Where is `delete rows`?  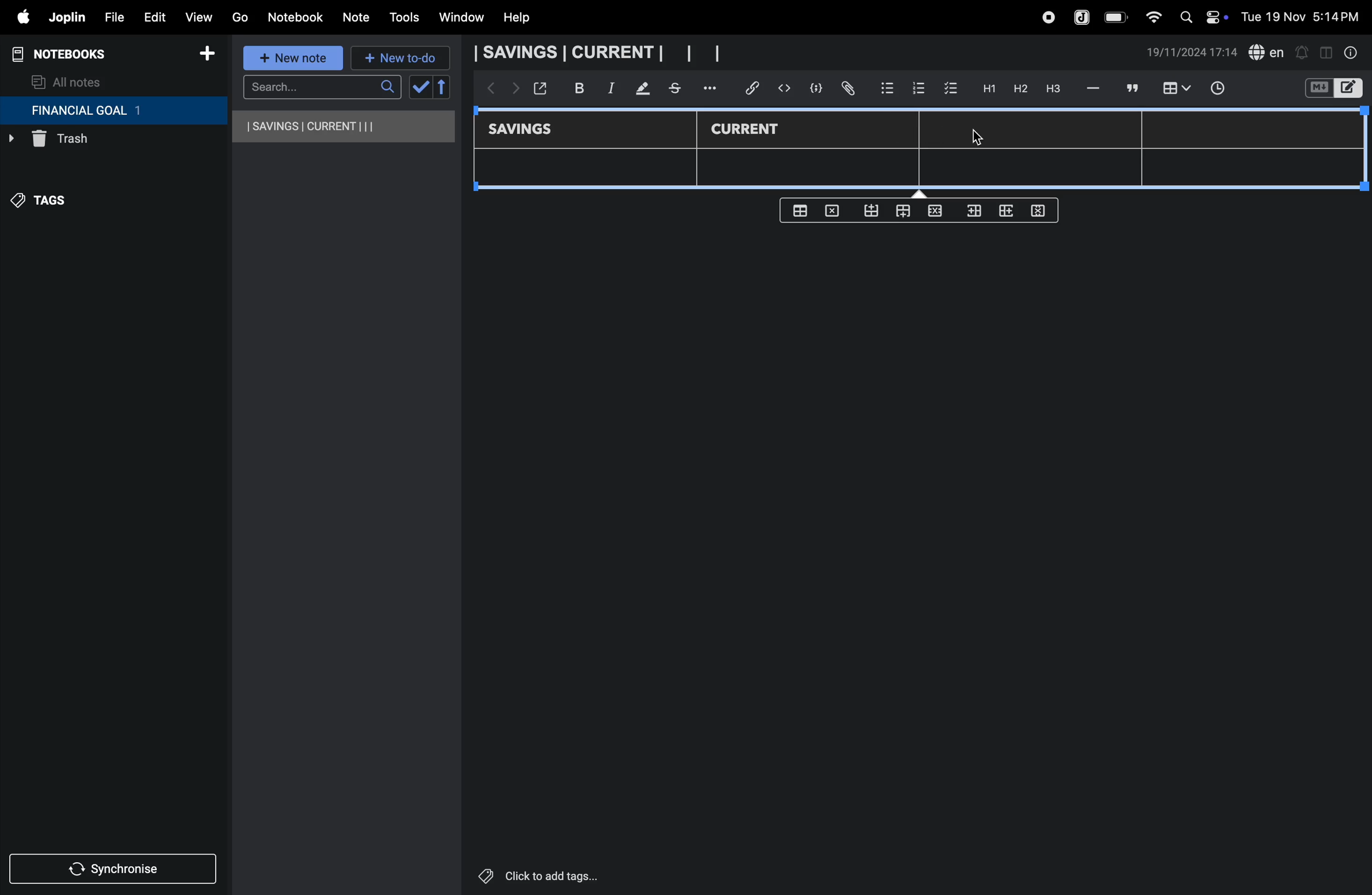 delete rows is located at coordinates (1039, 210).